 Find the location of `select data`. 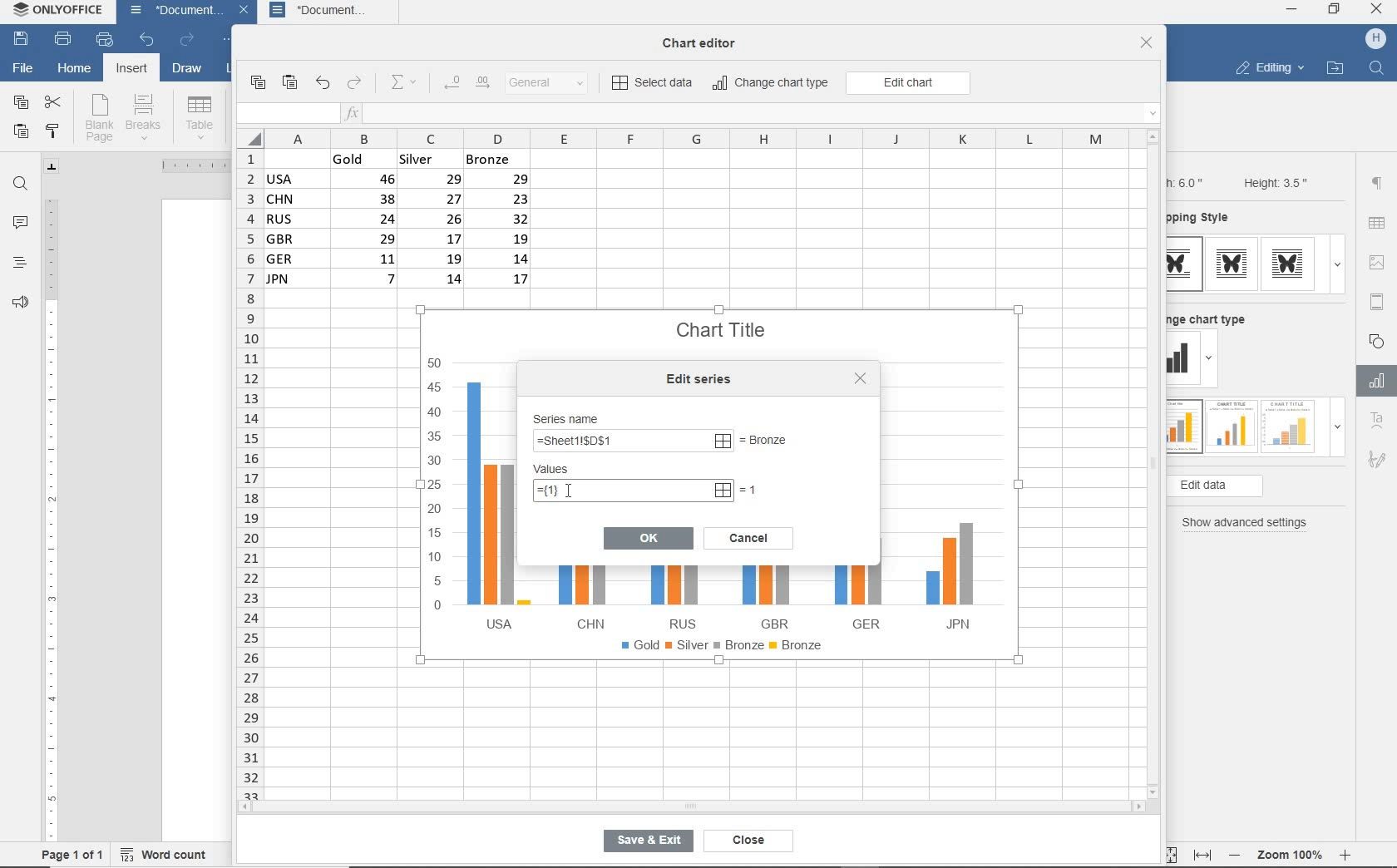

select data is located at coordinates (654, 84).